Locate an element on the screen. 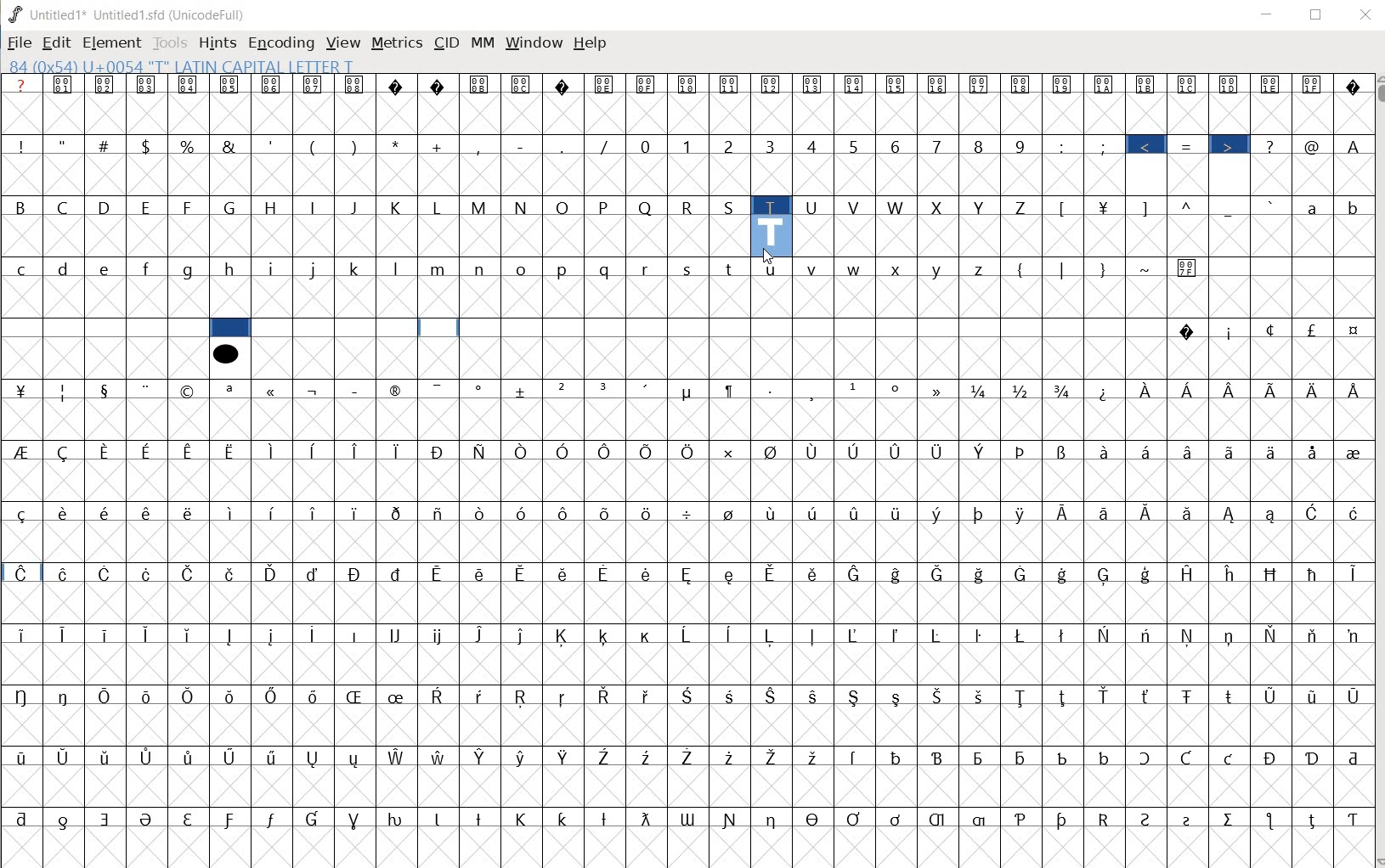 The height and width of the screenshot is (868, 1385). Symbol is located at coordinates (274, 758).